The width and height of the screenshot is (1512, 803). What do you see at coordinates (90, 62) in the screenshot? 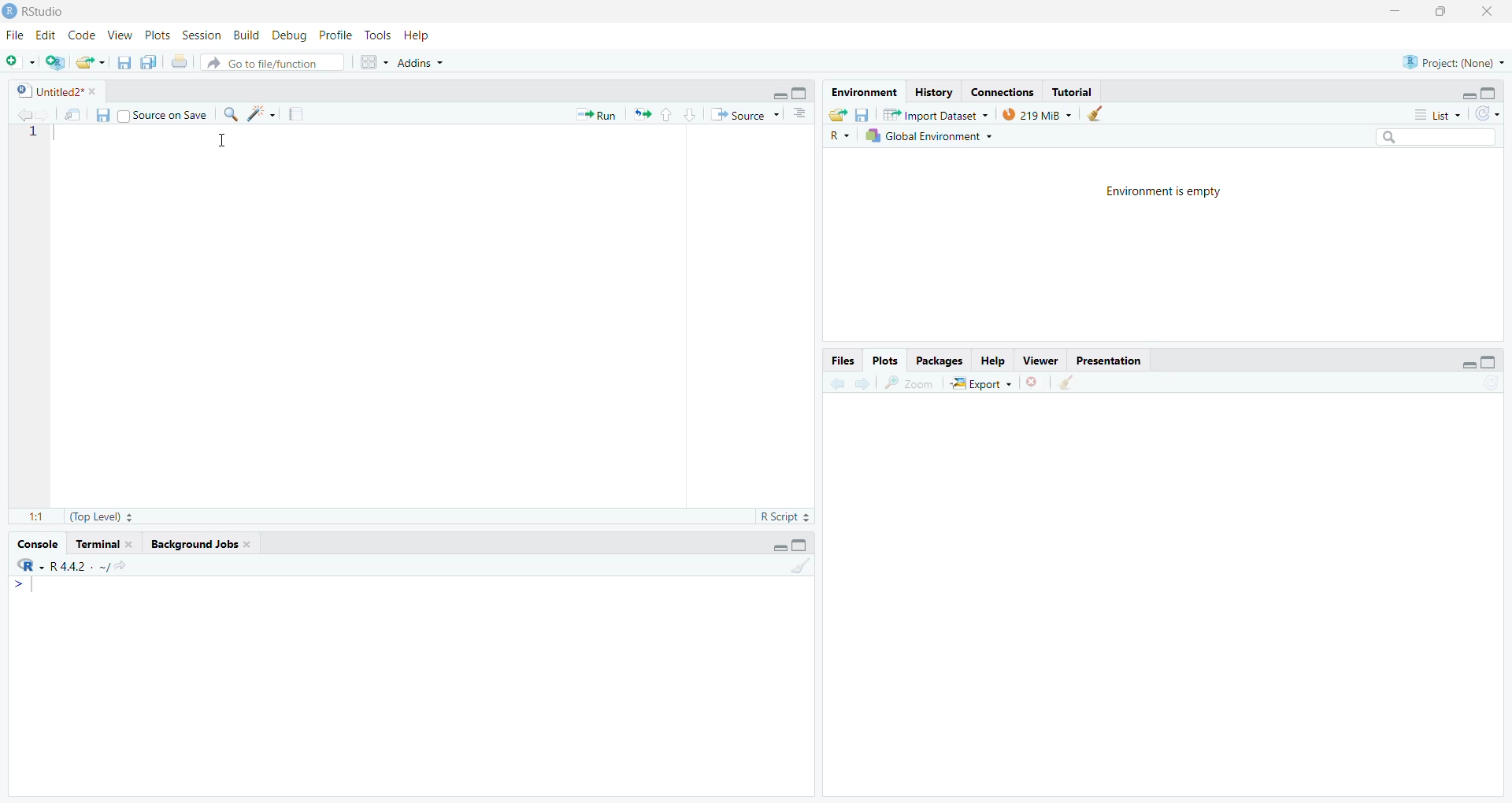
I see `Open an existing file` at bounding box center [90, 62].